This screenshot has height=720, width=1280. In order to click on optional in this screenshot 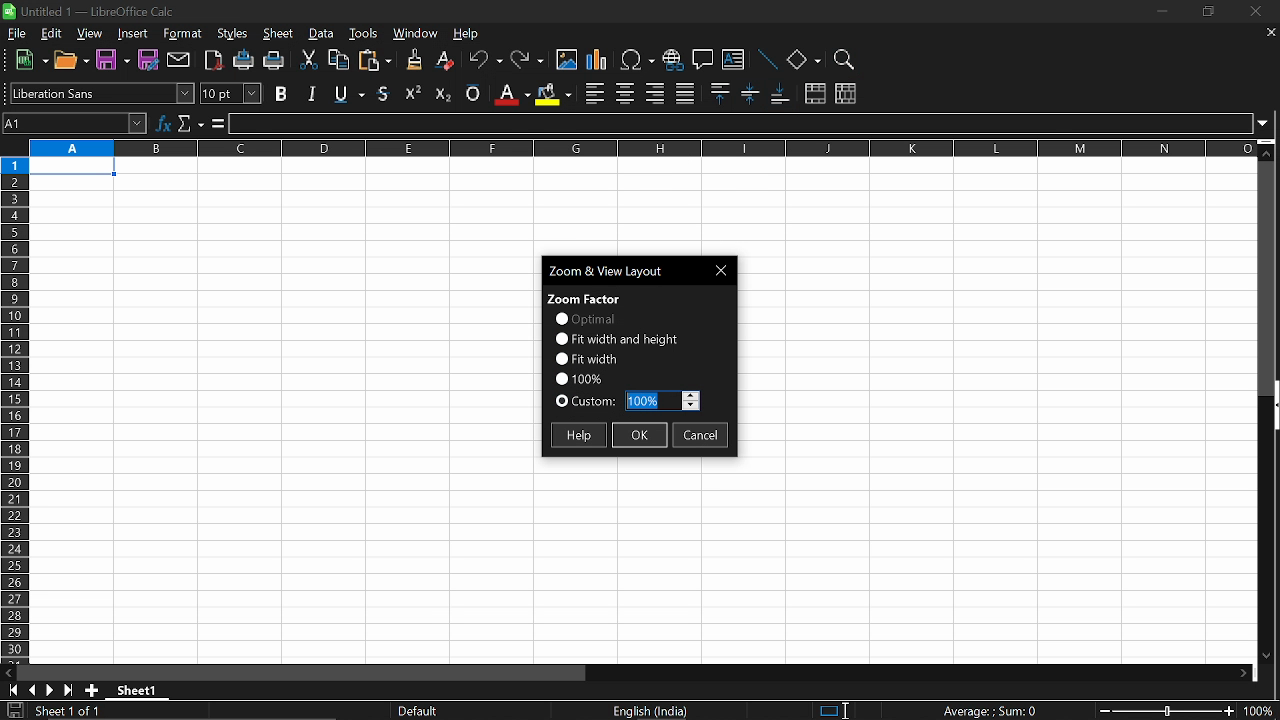, I will do `click(584, 319)`.